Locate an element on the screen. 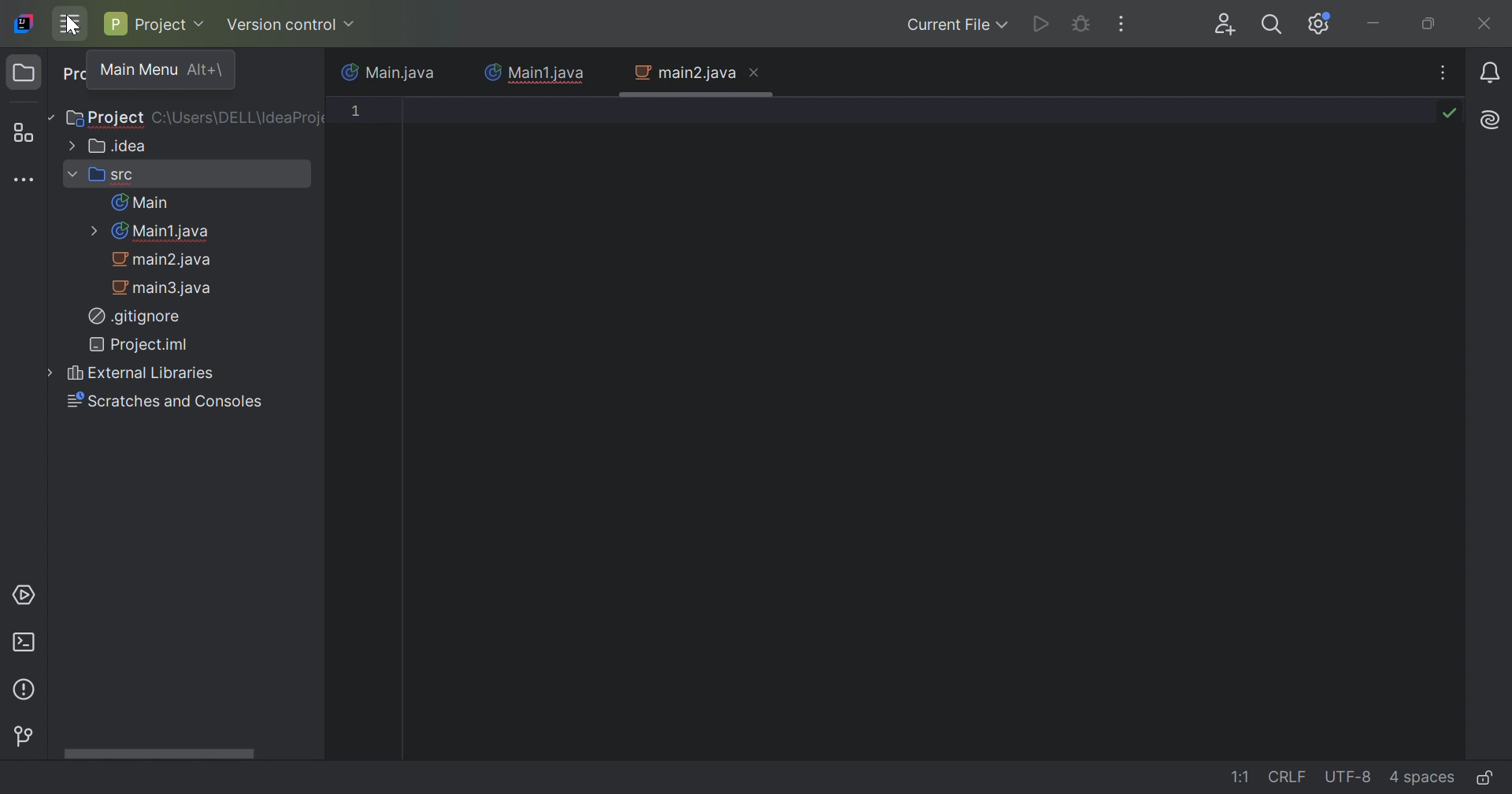 Image resolution: width=1512 pixels, height=794 pixels. Services is located at coordinates (27, 594).